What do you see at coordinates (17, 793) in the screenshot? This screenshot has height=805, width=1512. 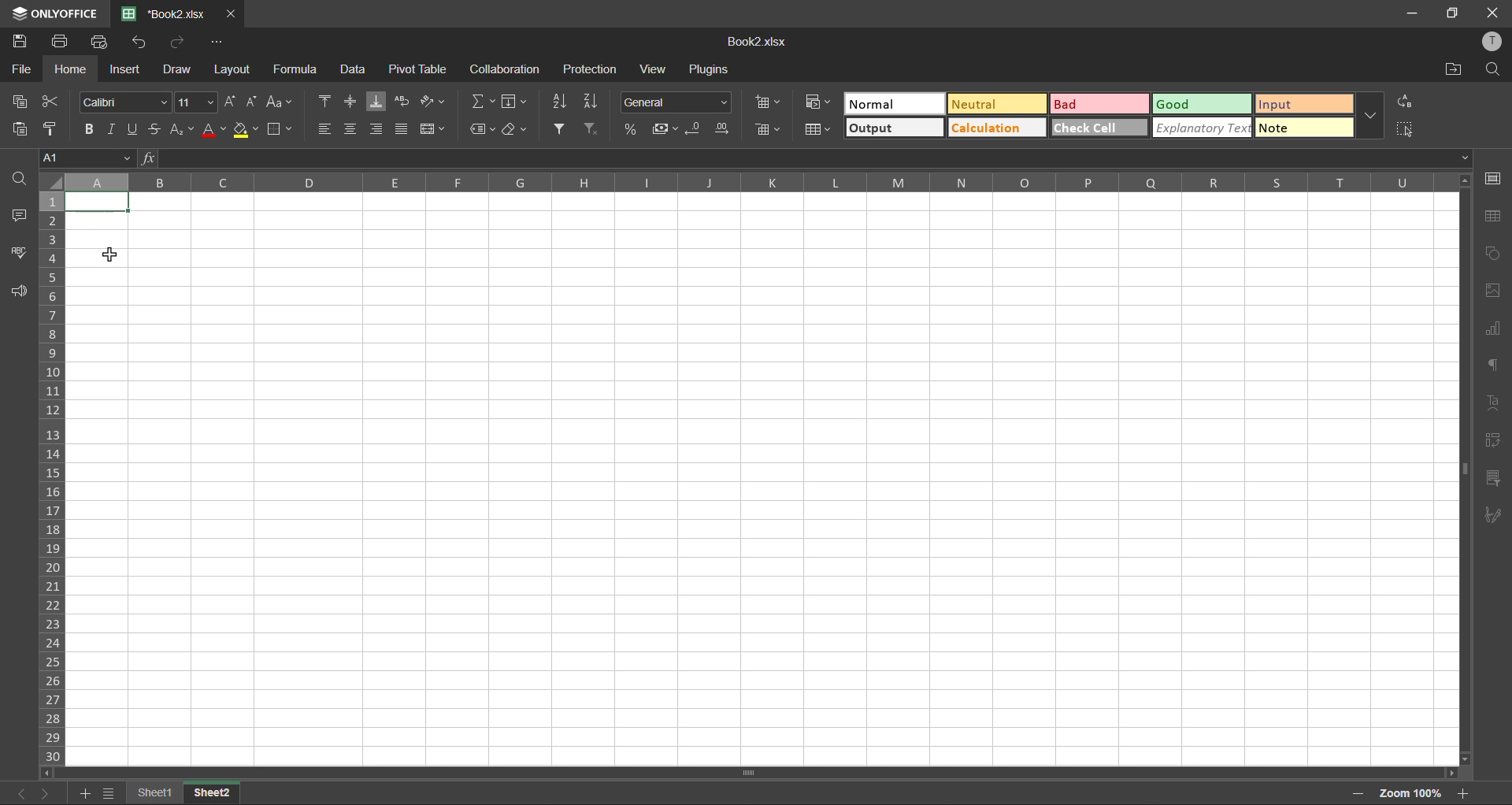 I see `previous` at bounding box center [17, 793].